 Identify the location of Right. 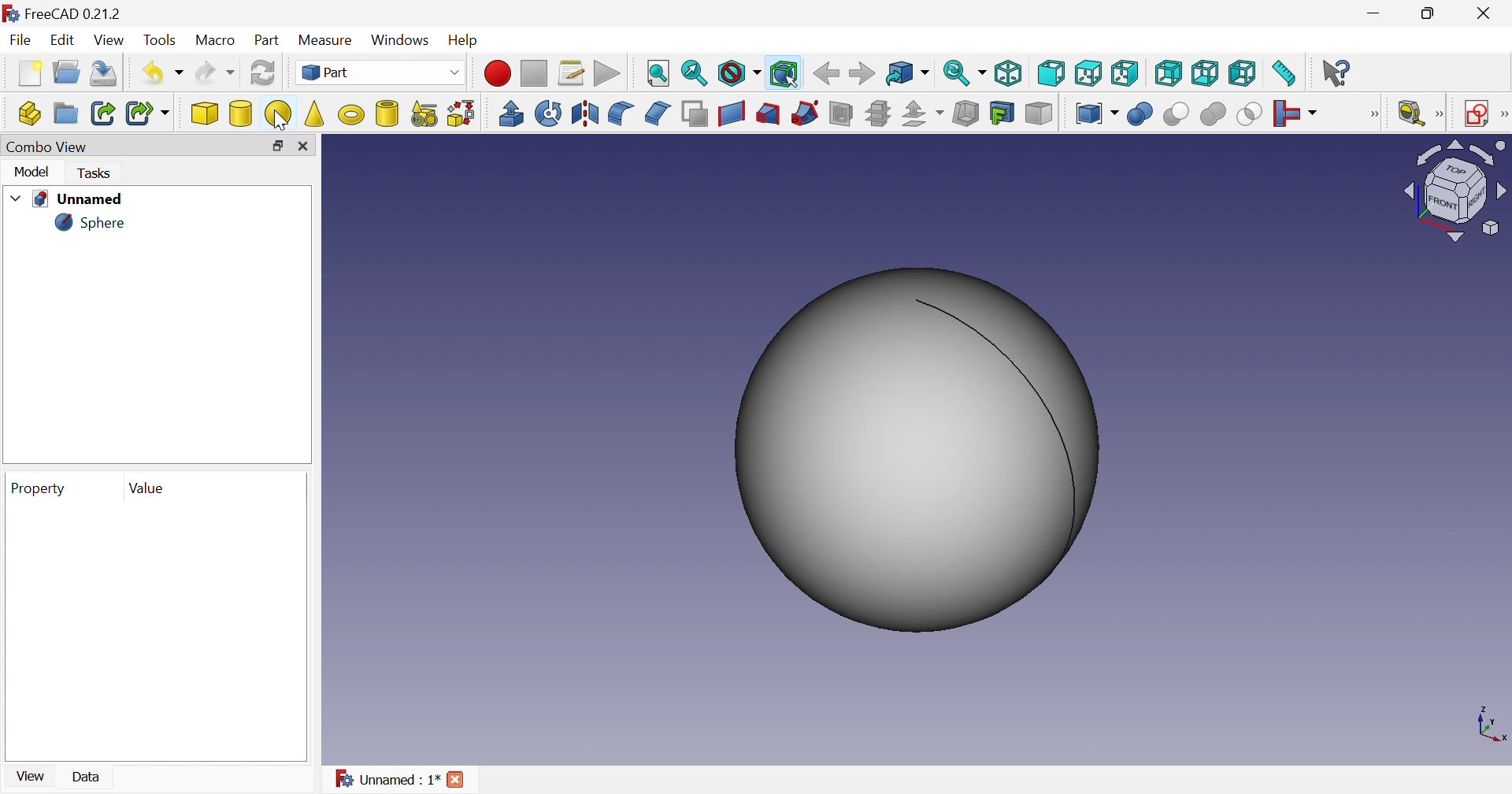
(1125, 74).